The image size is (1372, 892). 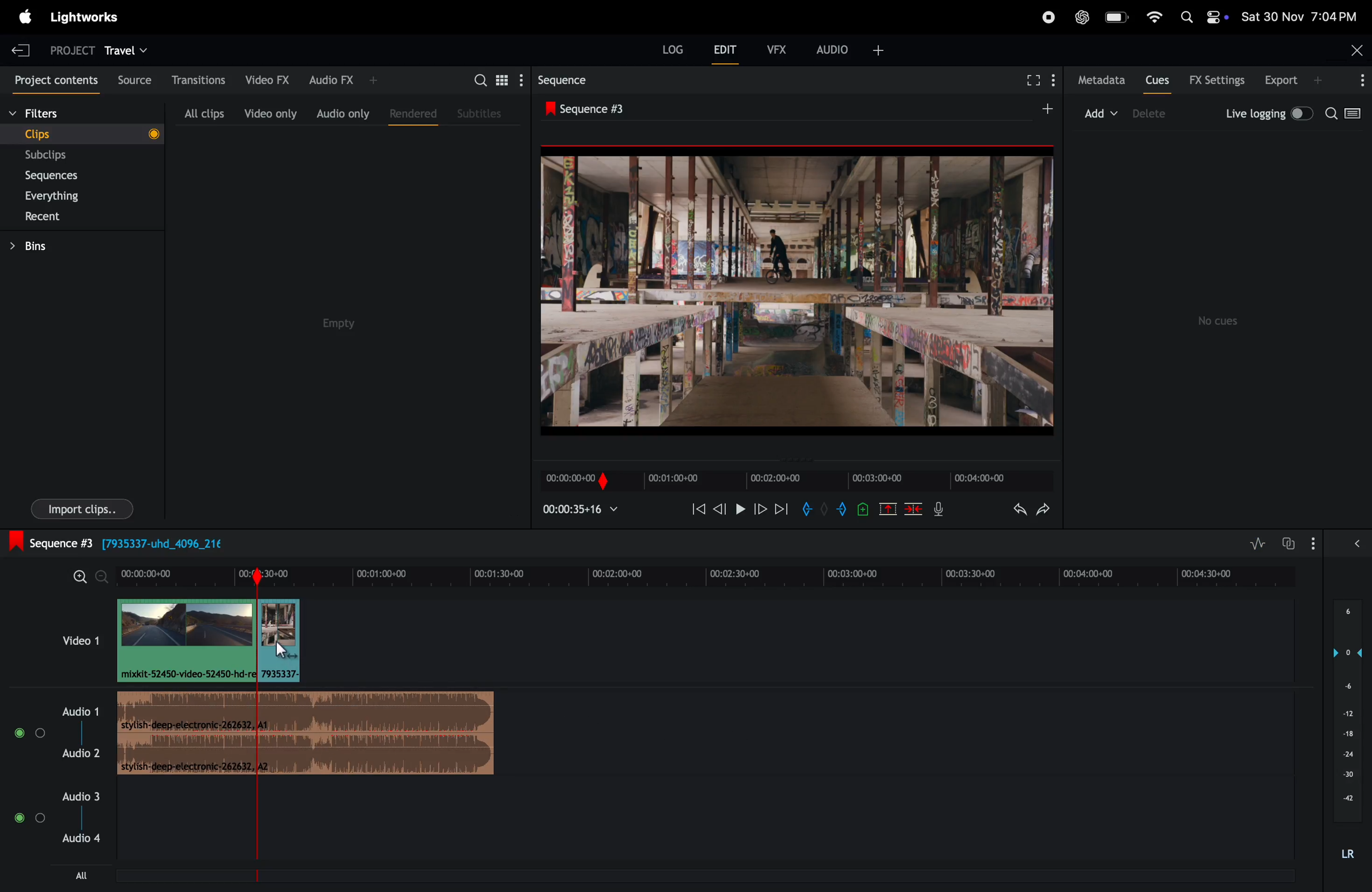 I want to click on -6 (layers), so click(x=1344, y=689).